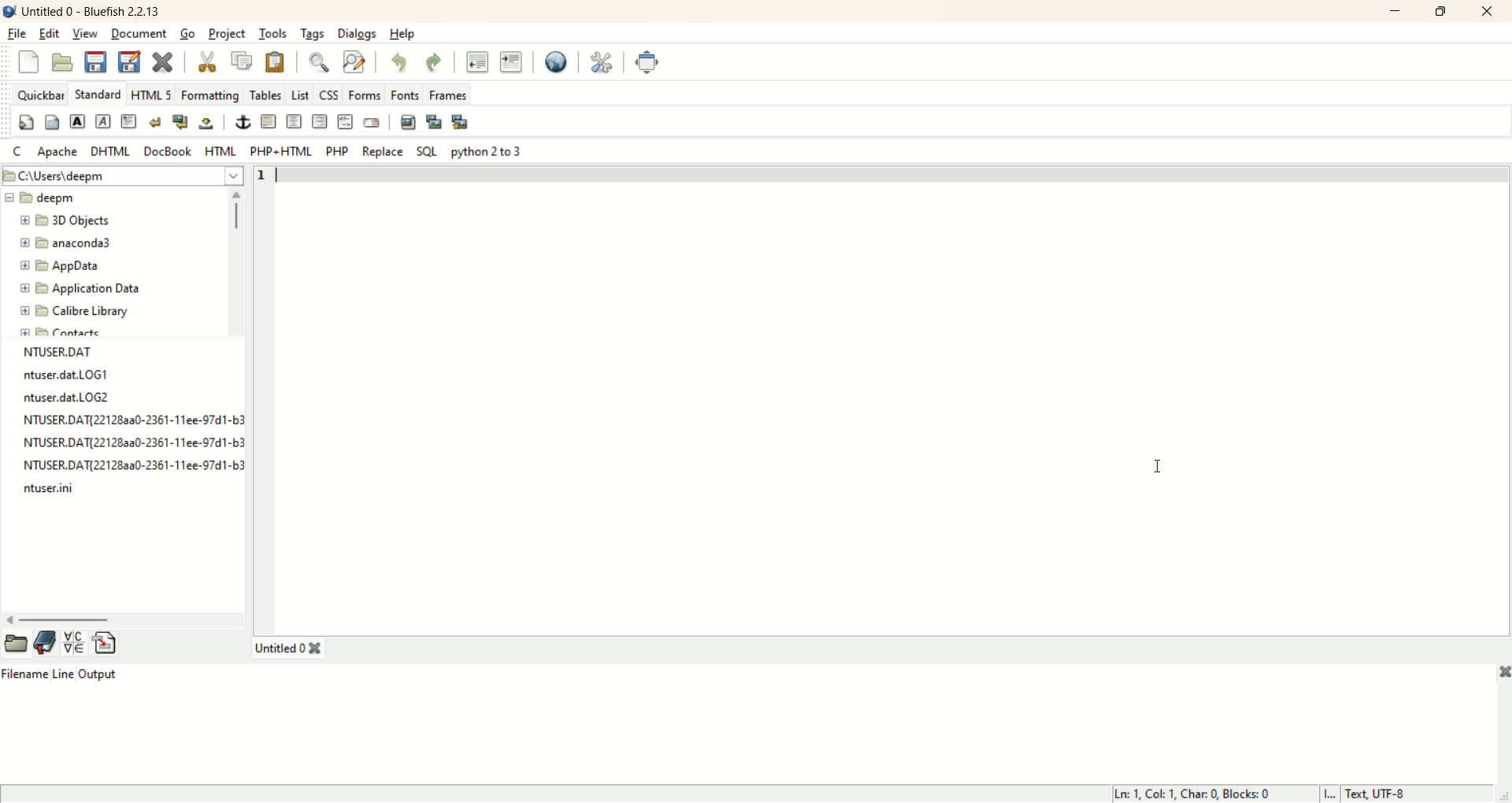 The height and width of the screenshot is (803, 1512). What do you see at coordinates (1396, 10) in the screenshot?
I see `minimize` at bounding box center [1396, 10].